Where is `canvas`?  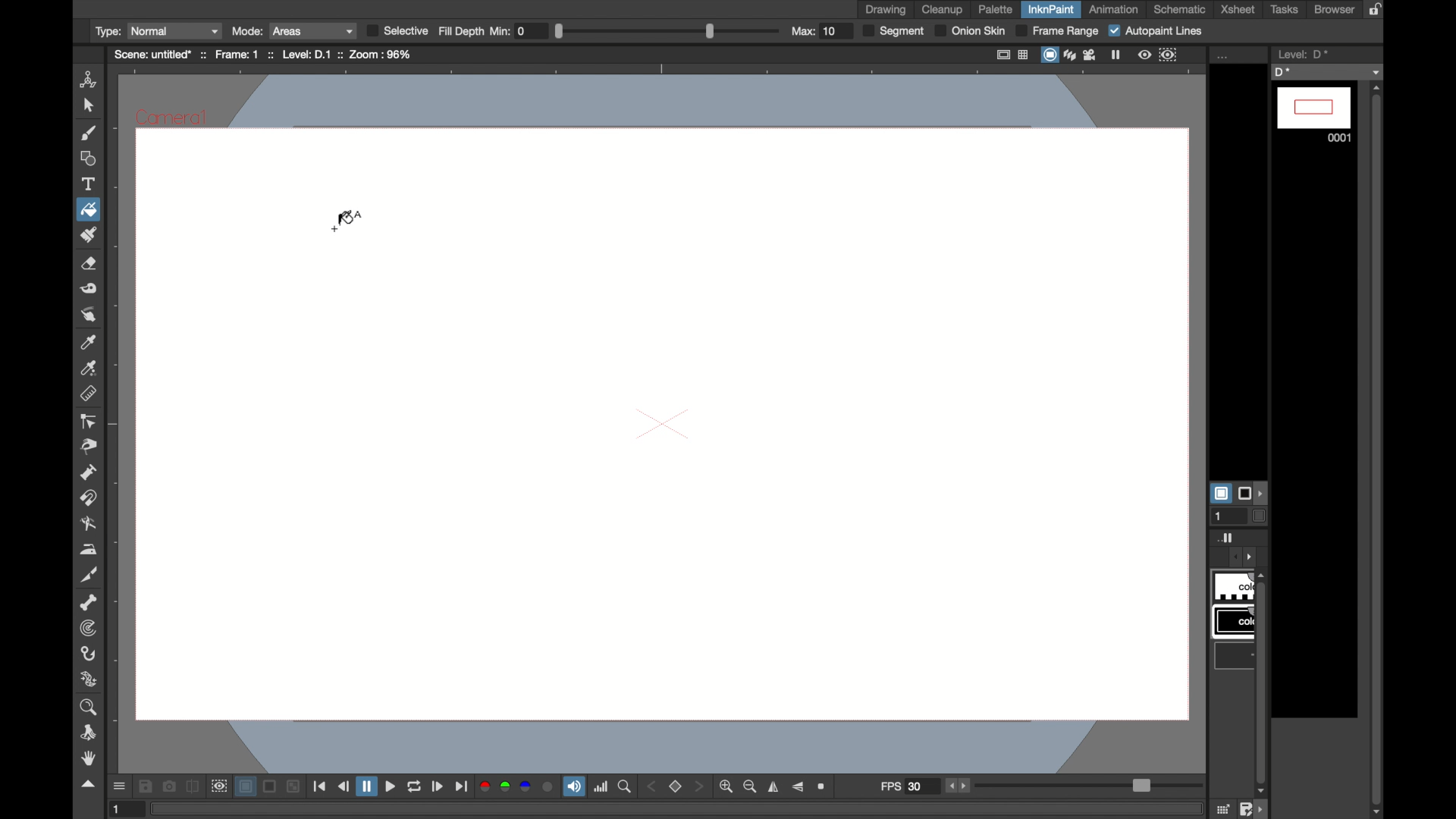 canvas is located at coordinates (658, 424).